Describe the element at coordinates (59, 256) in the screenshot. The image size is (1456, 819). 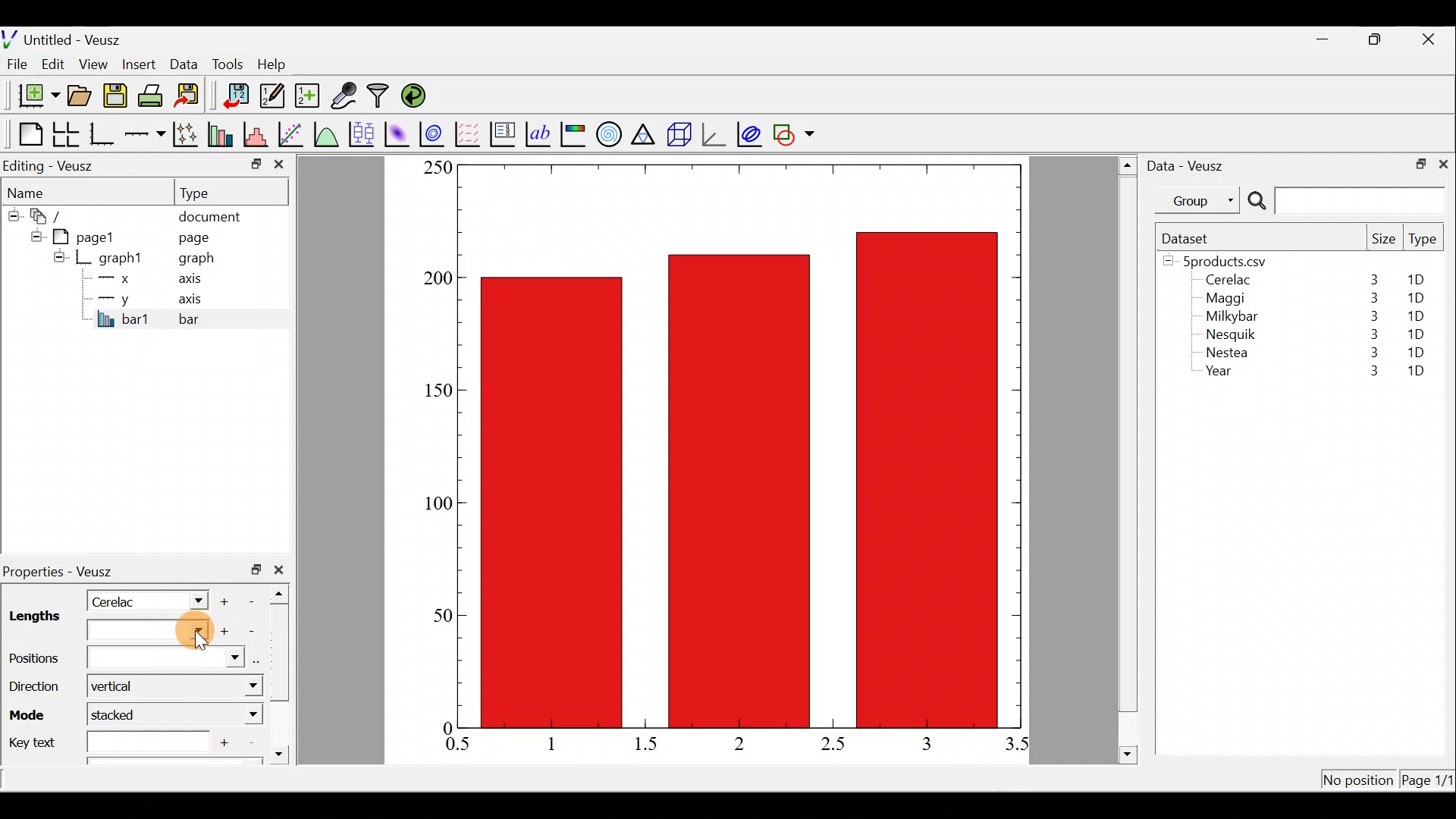
I see `hide` at that location.